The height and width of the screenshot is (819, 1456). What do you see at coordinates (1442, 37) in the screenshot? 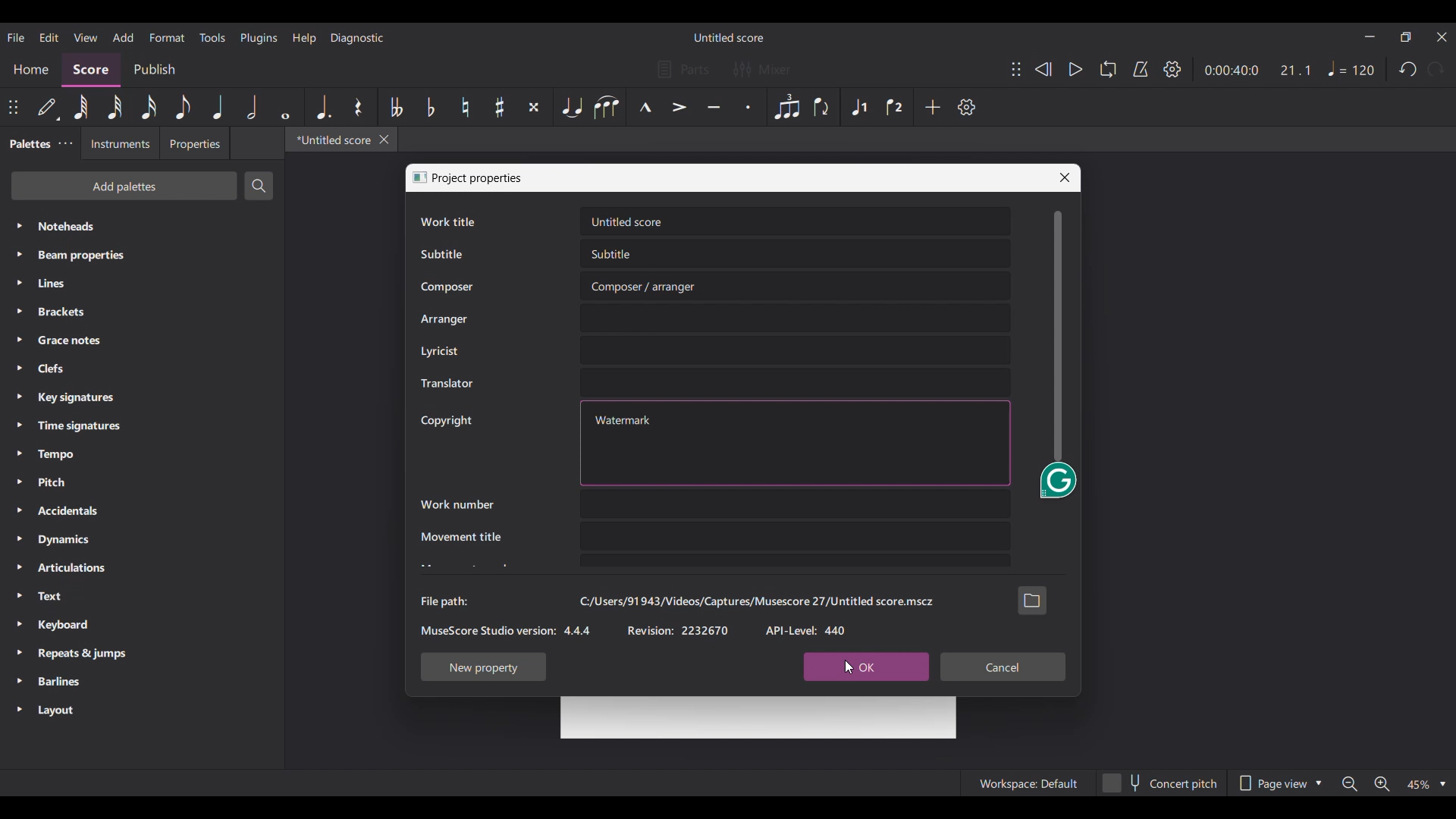
I see `Close interface` at bounding box center [1442, 37].